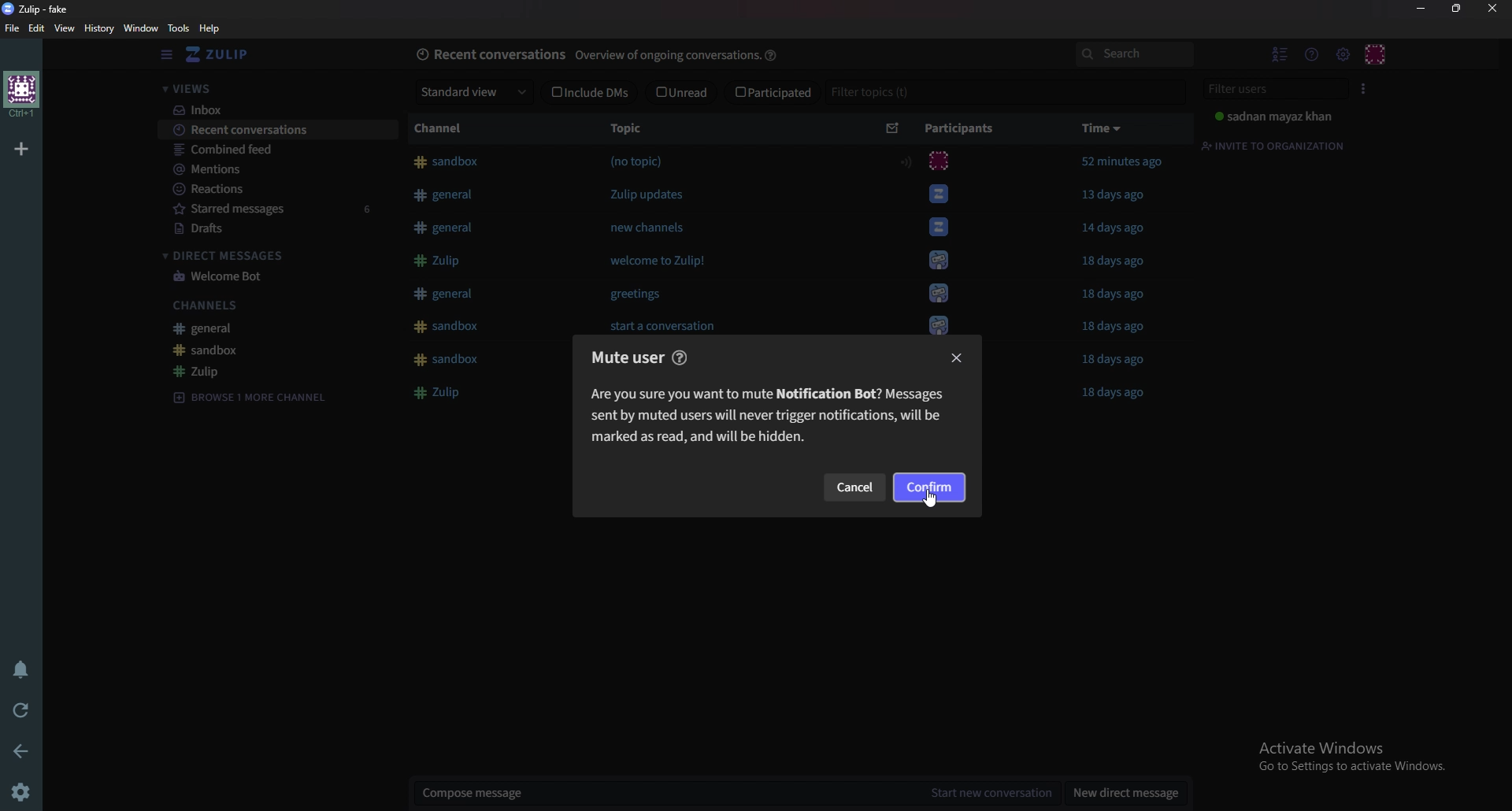 This screenshot has height=811, width=1512. Describe the element at coordinates (661, 328) in the screenshot. I see `start a conversation` at that location.